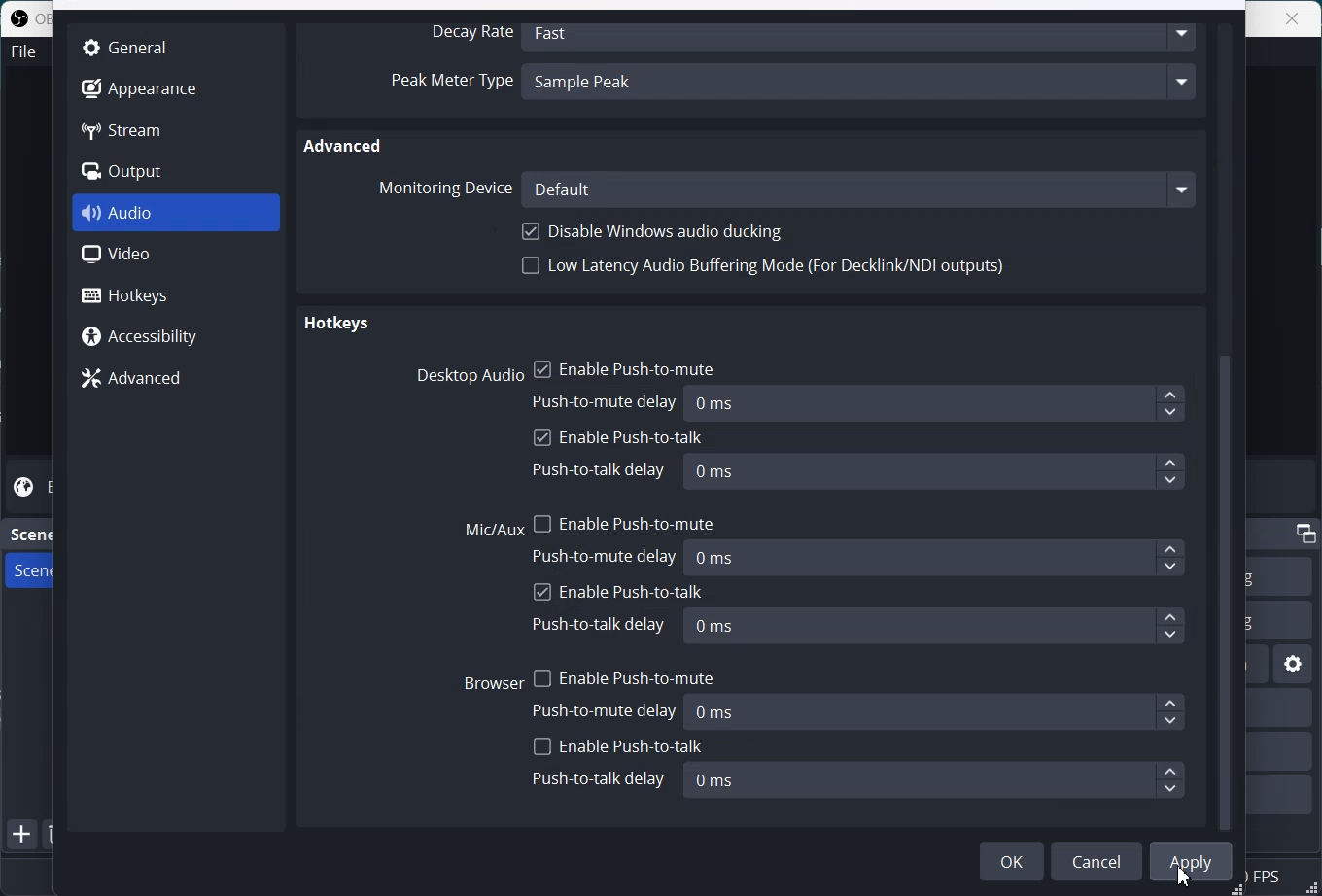  What do you see at coordinates (466, 375) in the screenshot?
I see `Desktop Audio` at bounding box center [466, 375].